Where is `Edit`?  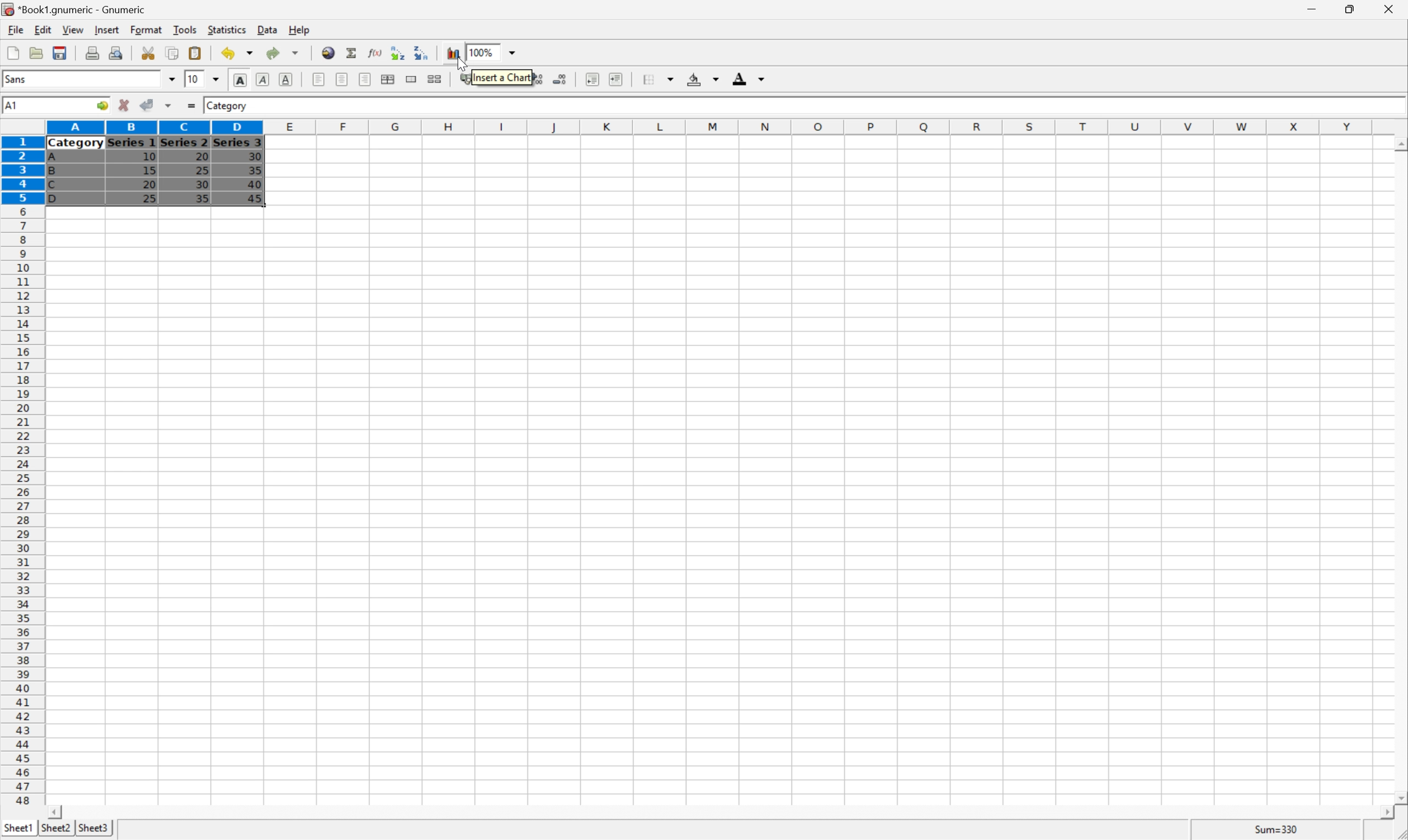 Edit is located at coordinates (43, 29).